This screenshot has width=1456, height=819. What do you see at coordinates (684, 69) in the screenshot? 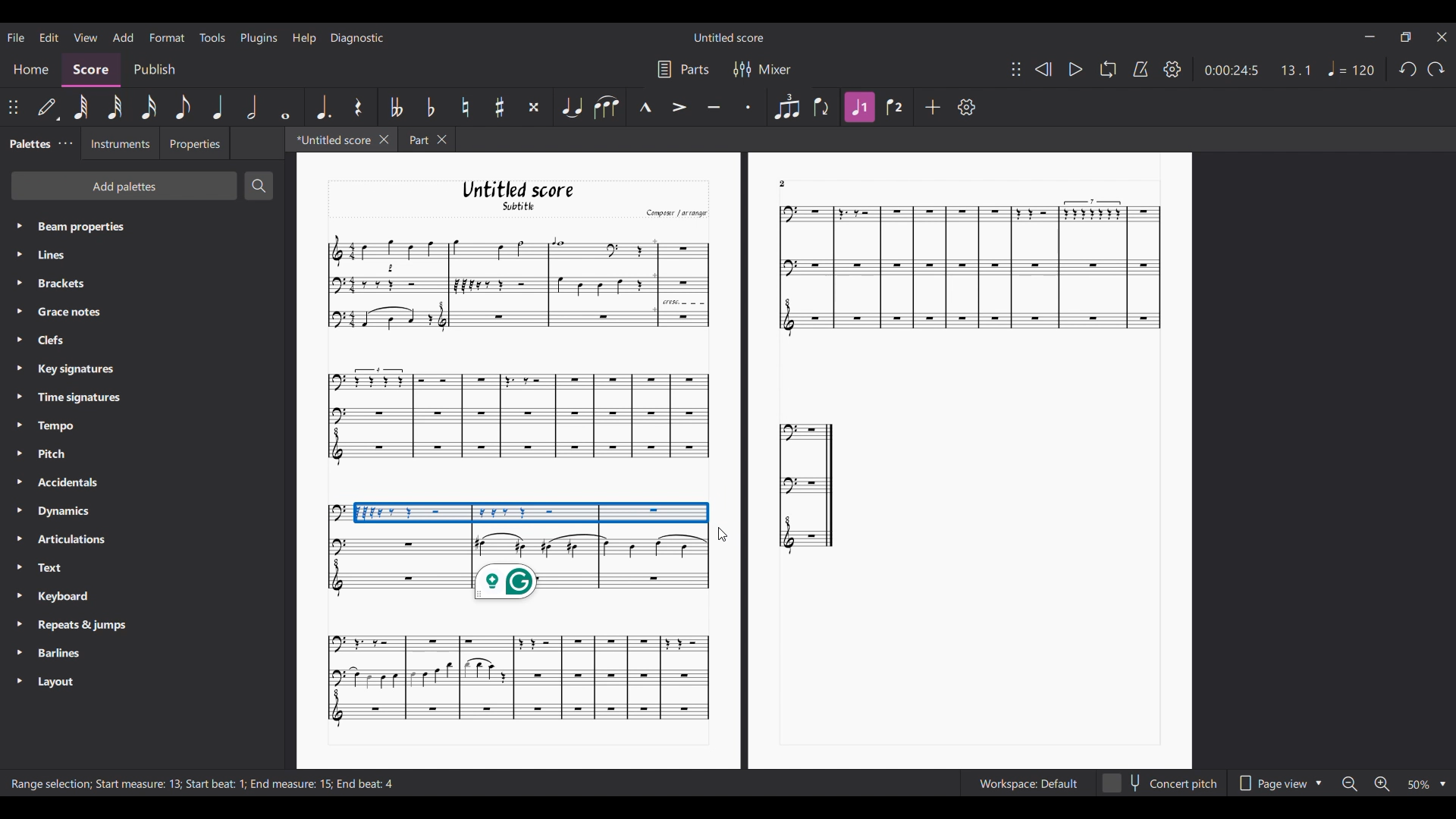
I see `Parts settings` at bounding box center [684, 69].